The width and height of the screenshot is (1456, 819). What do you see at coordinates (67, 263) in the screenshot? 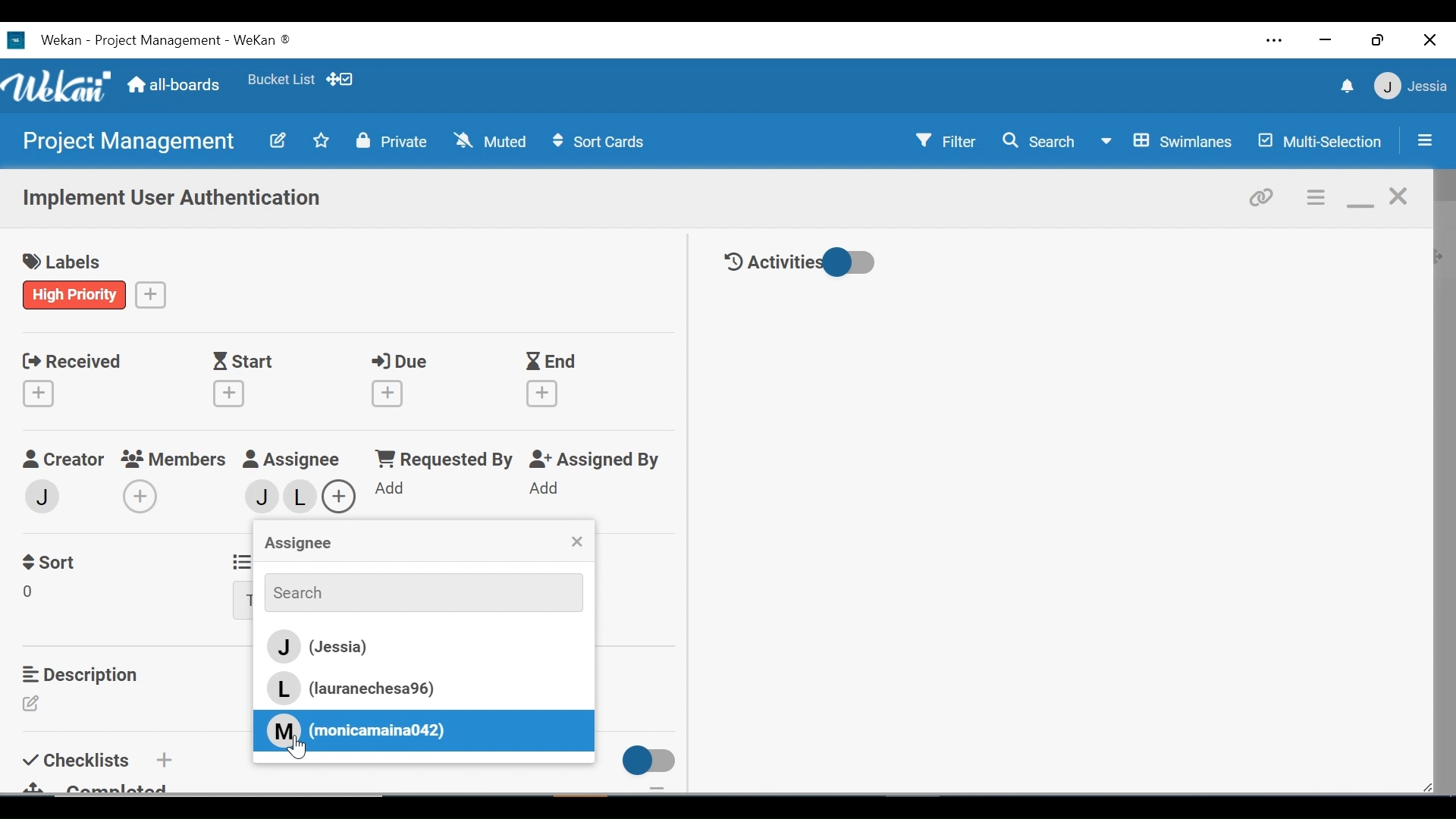
I see `labels` at bounding box center [67, 263].